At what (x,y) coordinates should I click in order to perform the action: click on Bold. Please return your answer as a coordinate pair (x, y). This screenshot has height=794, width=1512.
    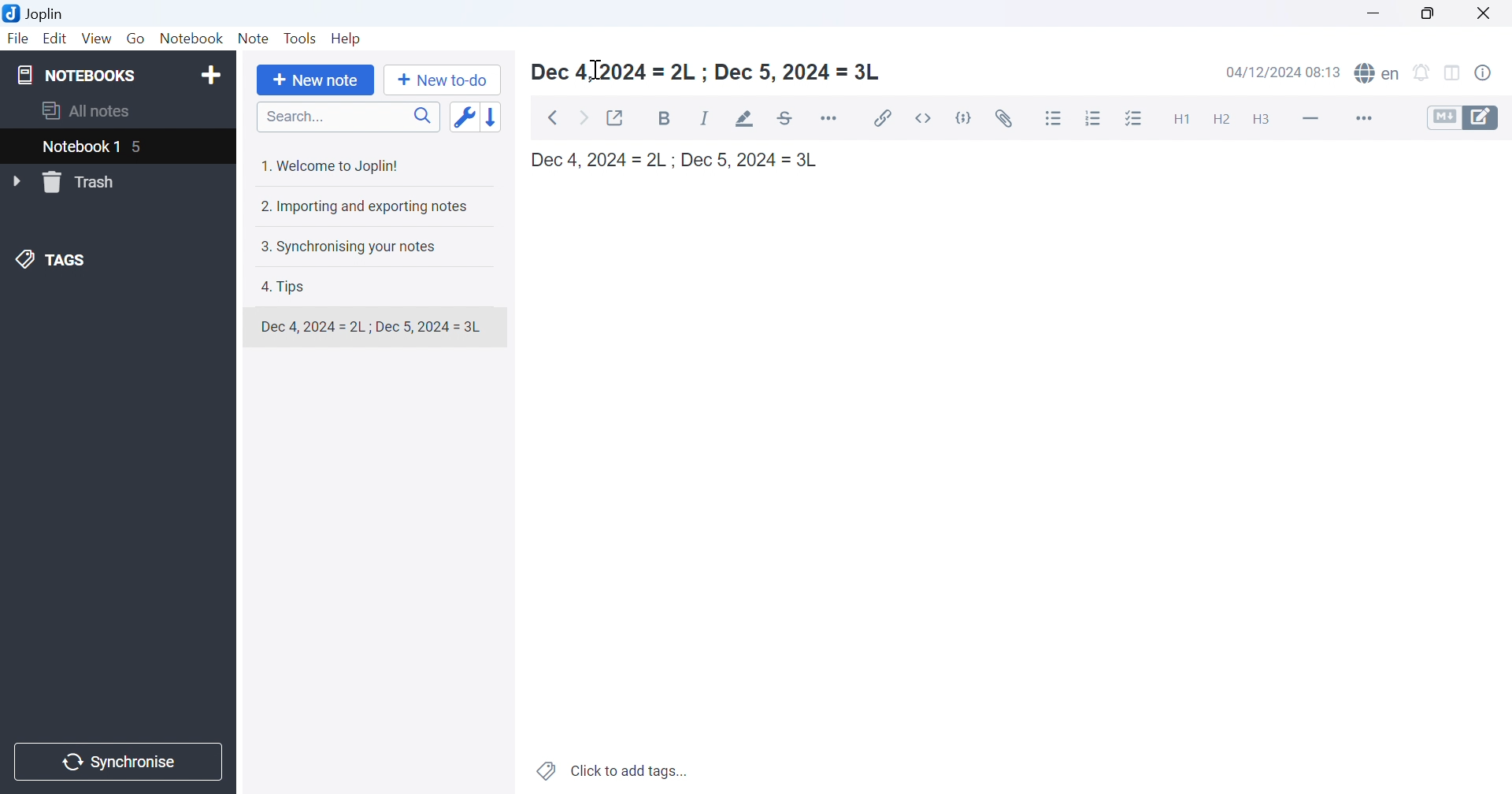
    Looking at the image, I should click on (668, 120).